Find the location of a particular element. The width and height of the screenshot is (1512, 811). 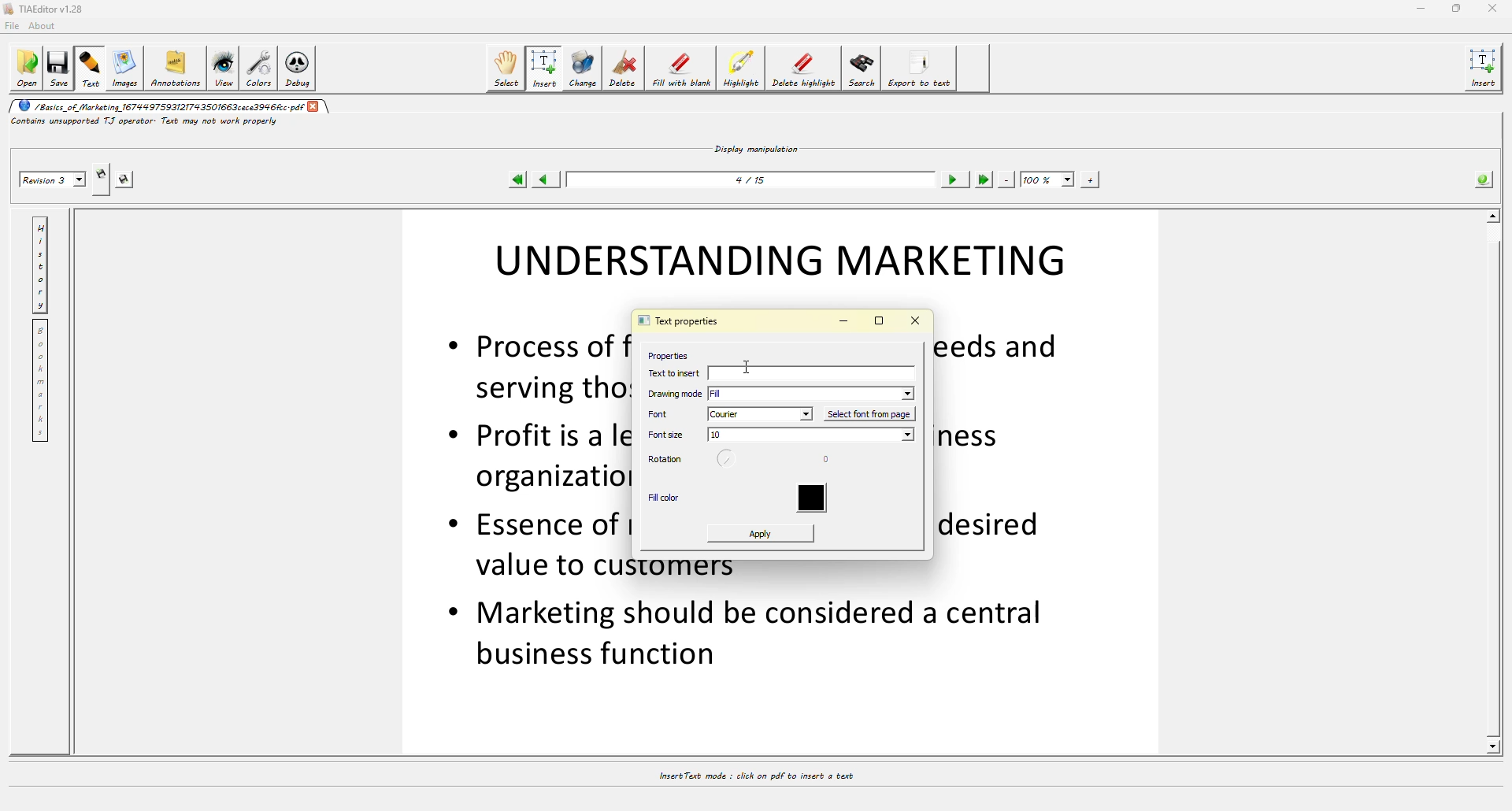

maximize is located at coordinates (1456, 9).